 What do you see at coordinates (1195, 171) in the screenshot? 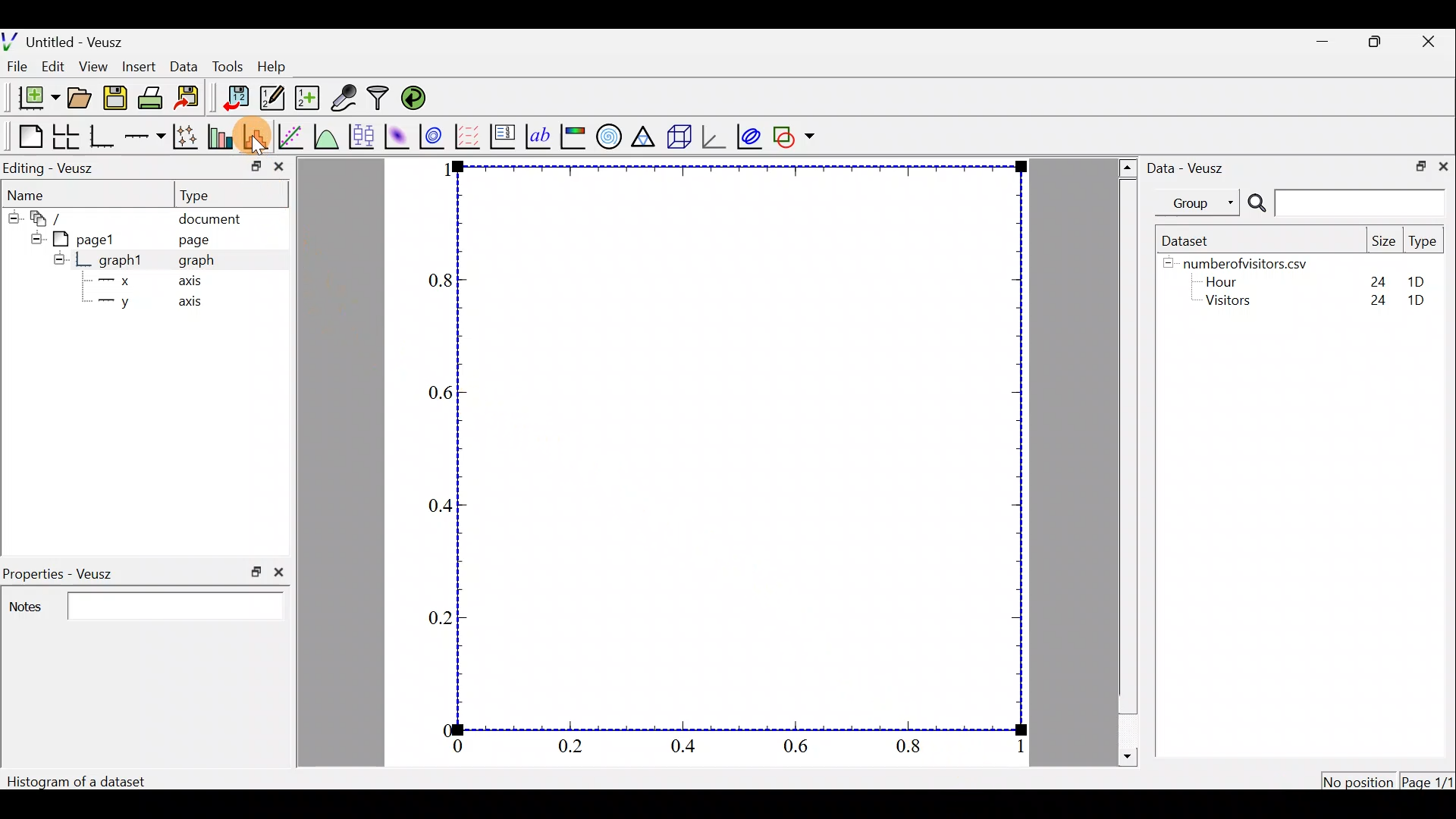
I see `Data - Veusz` at bounding box center [1195, 171].